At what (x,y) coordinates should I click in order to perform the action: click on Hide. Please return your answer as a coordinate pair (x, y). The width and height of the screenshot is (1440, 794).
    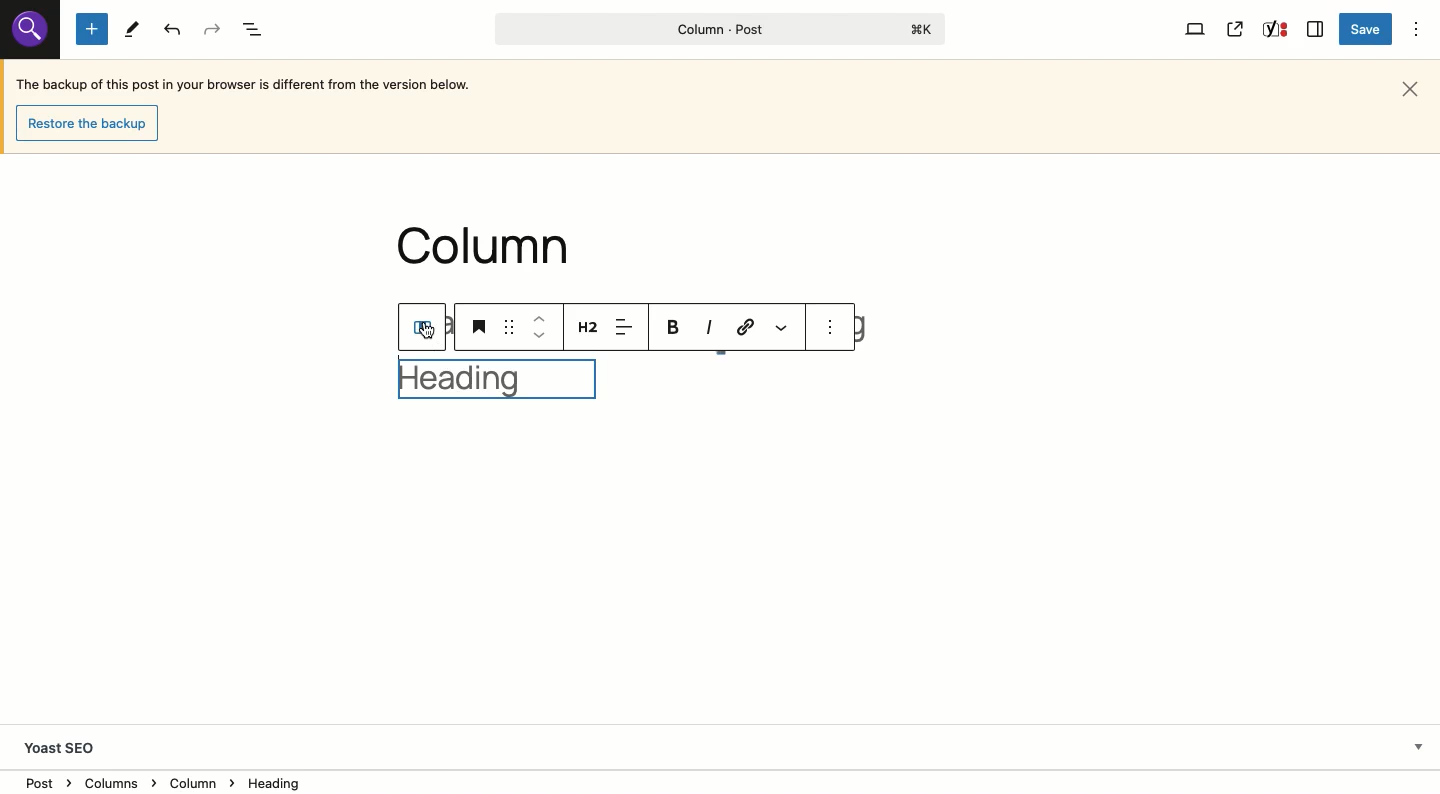
    Looking at the image, I should click on (1418, 745).